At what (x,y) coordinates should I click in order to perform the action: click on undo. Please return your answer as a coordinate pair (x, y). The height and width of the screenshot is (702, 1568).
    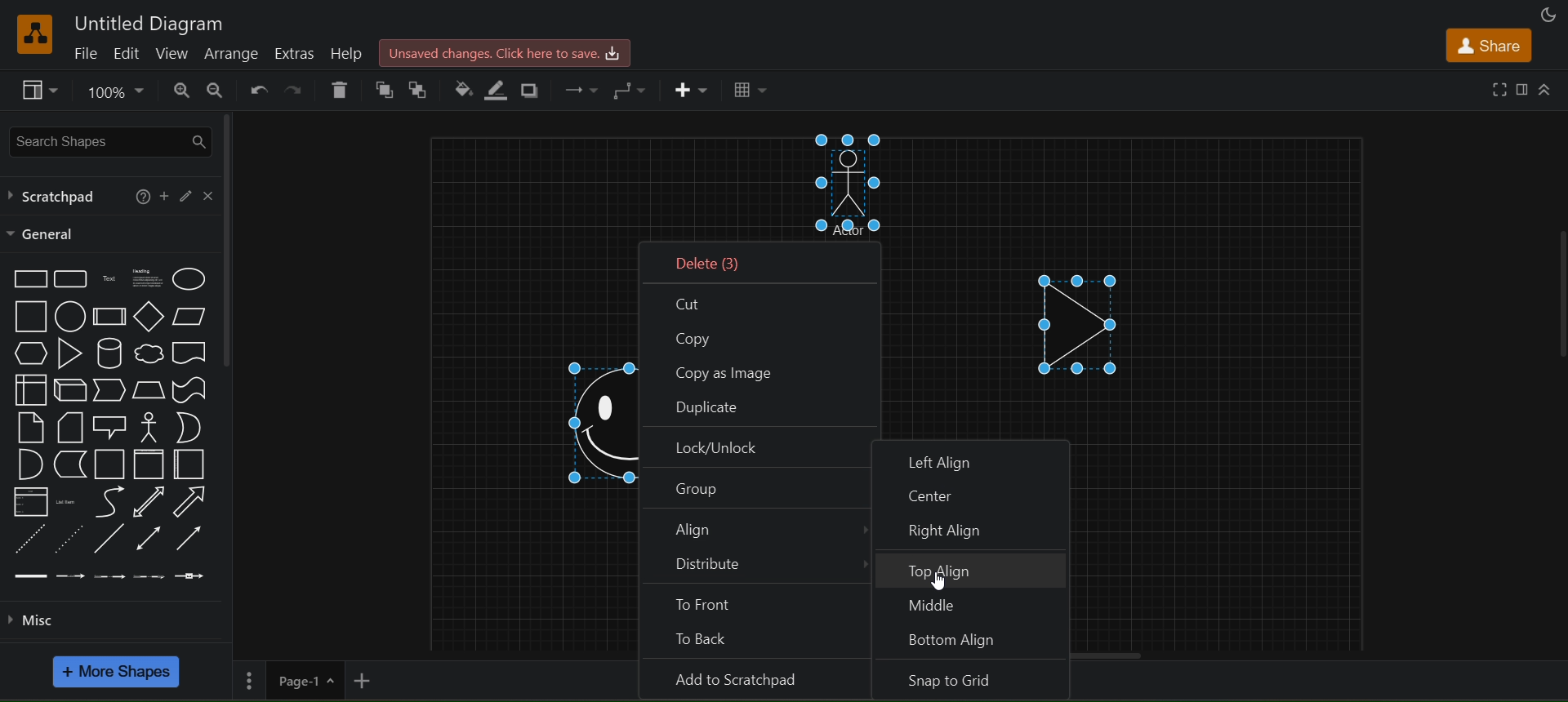
    Looking at the image, I should click on (256, 88).